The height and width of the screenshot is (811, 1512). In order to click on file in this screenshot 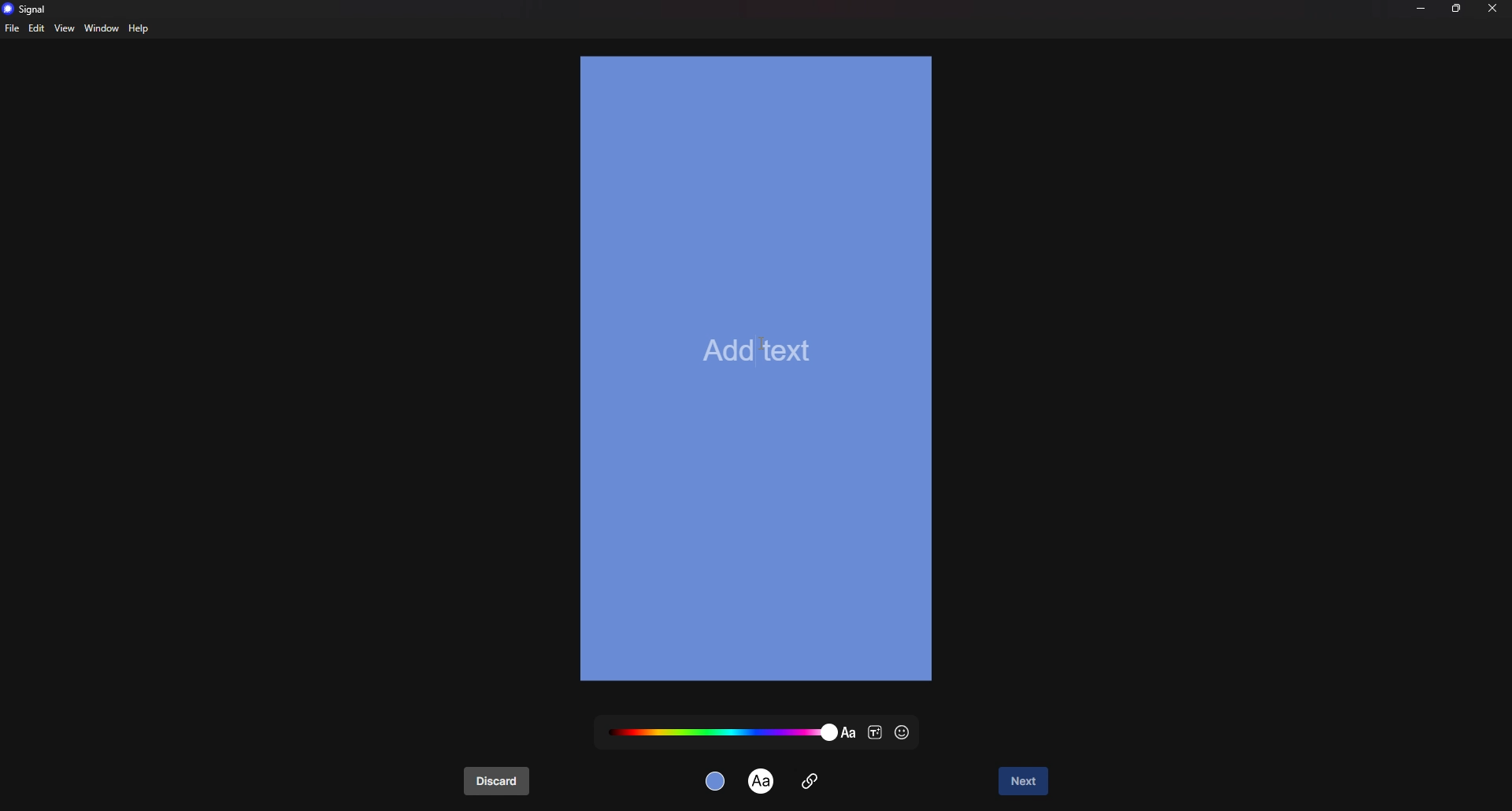, I will do `click(13, 28)`.